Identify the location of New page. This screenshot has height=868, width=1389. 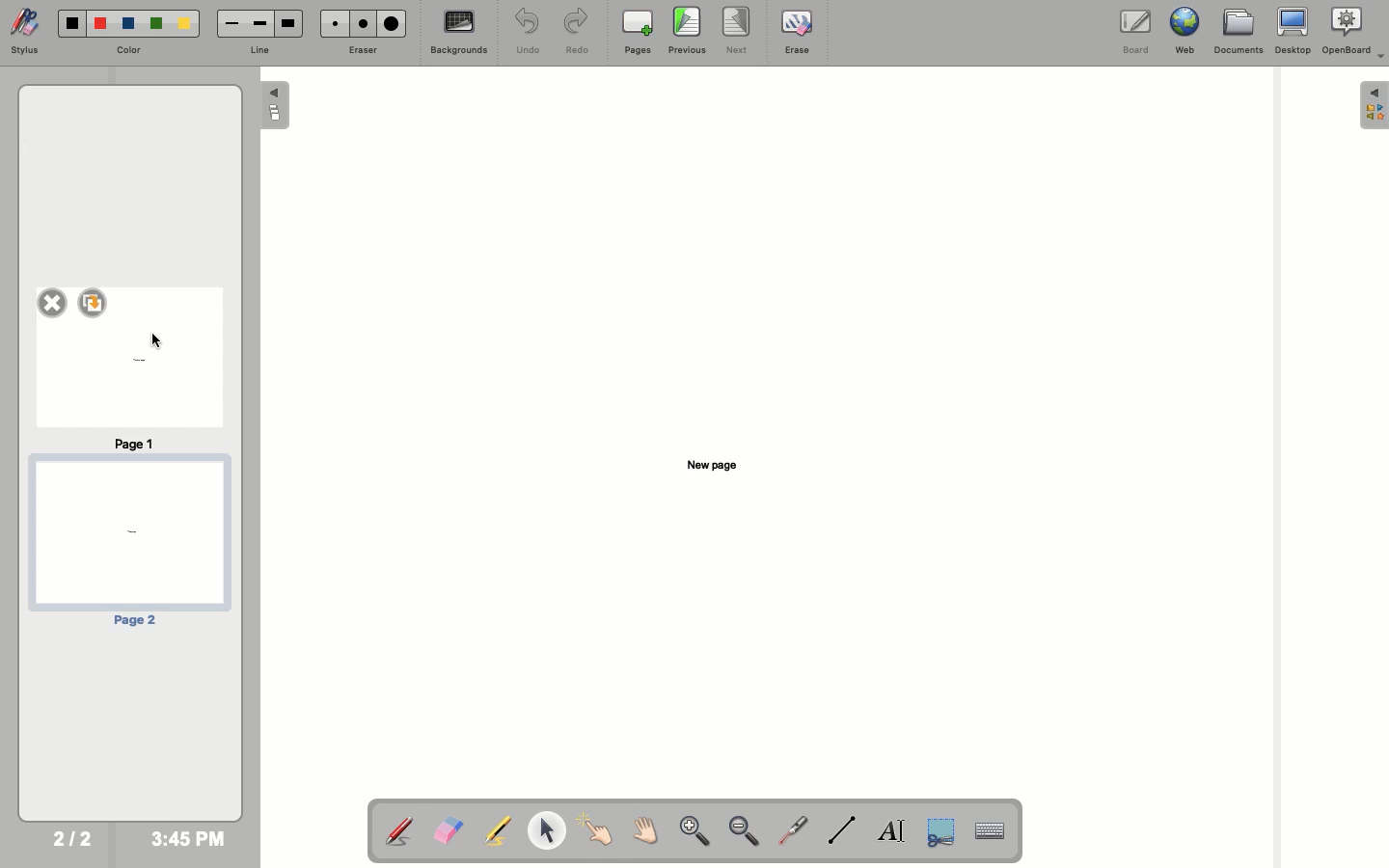
(713, 465).